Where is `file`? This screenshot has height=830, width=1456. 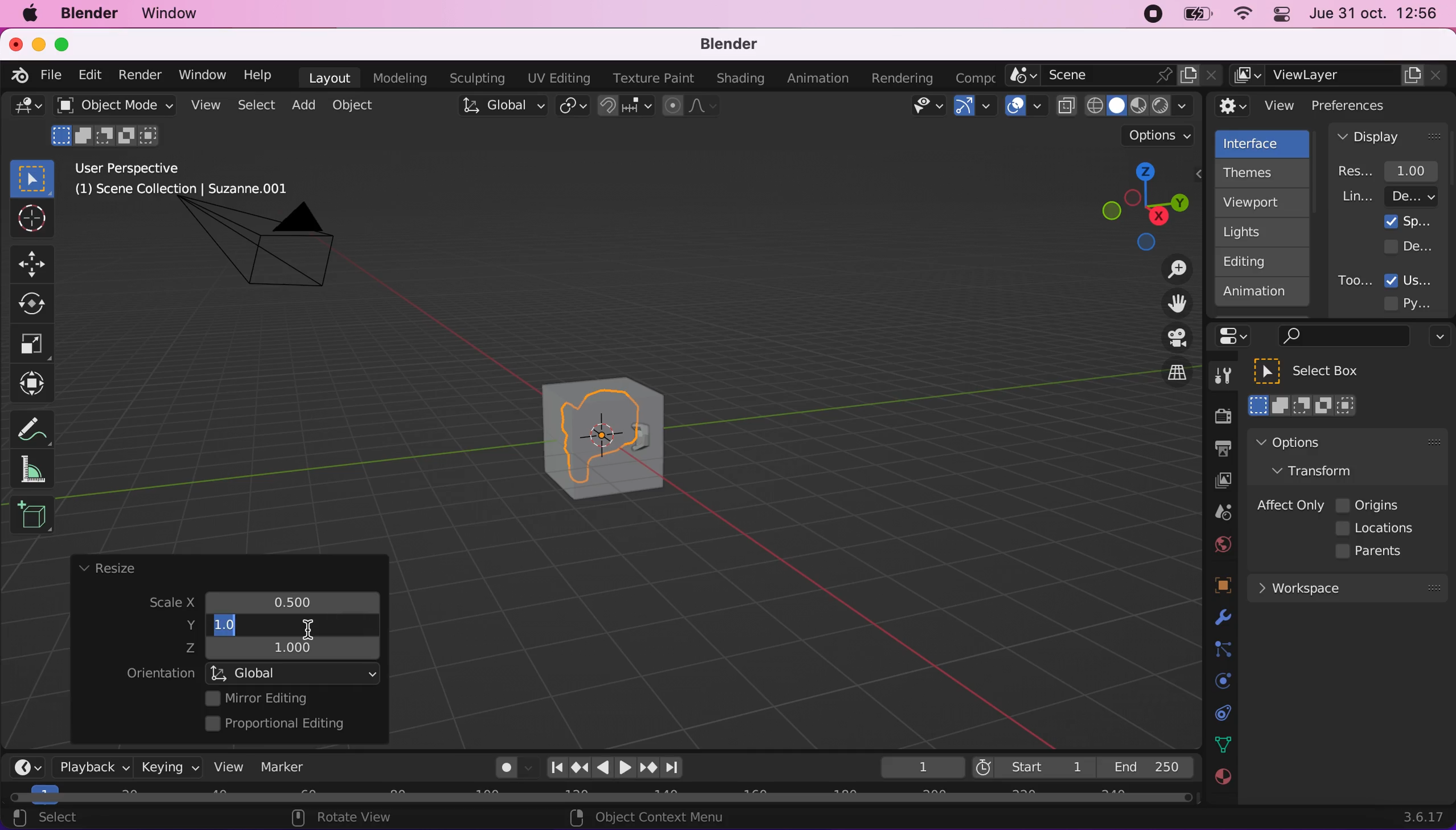 file is located at coordinates (49, 75).